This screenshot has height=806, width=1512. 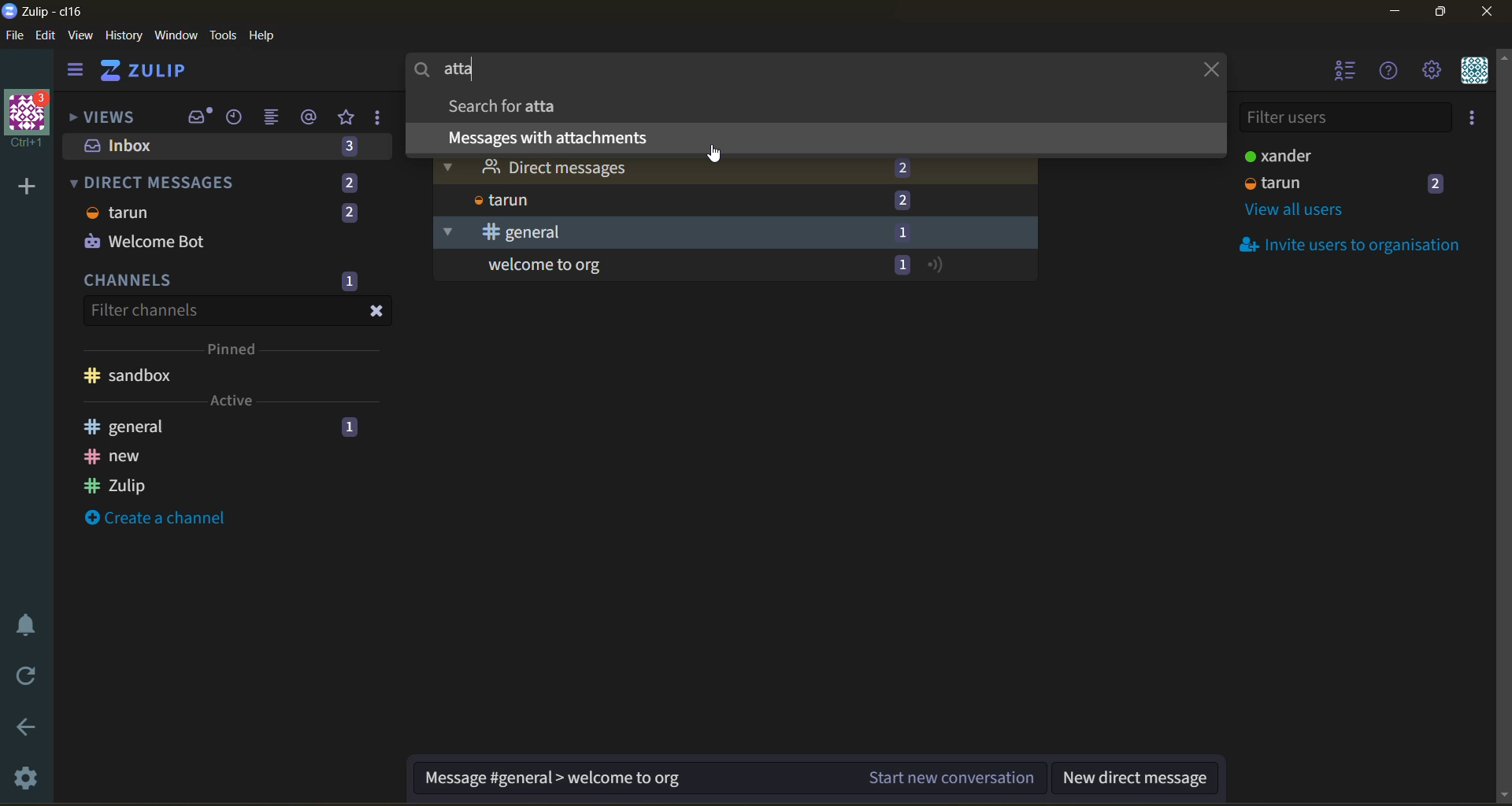 I want to click on 2, so click(x=1438, y=183).